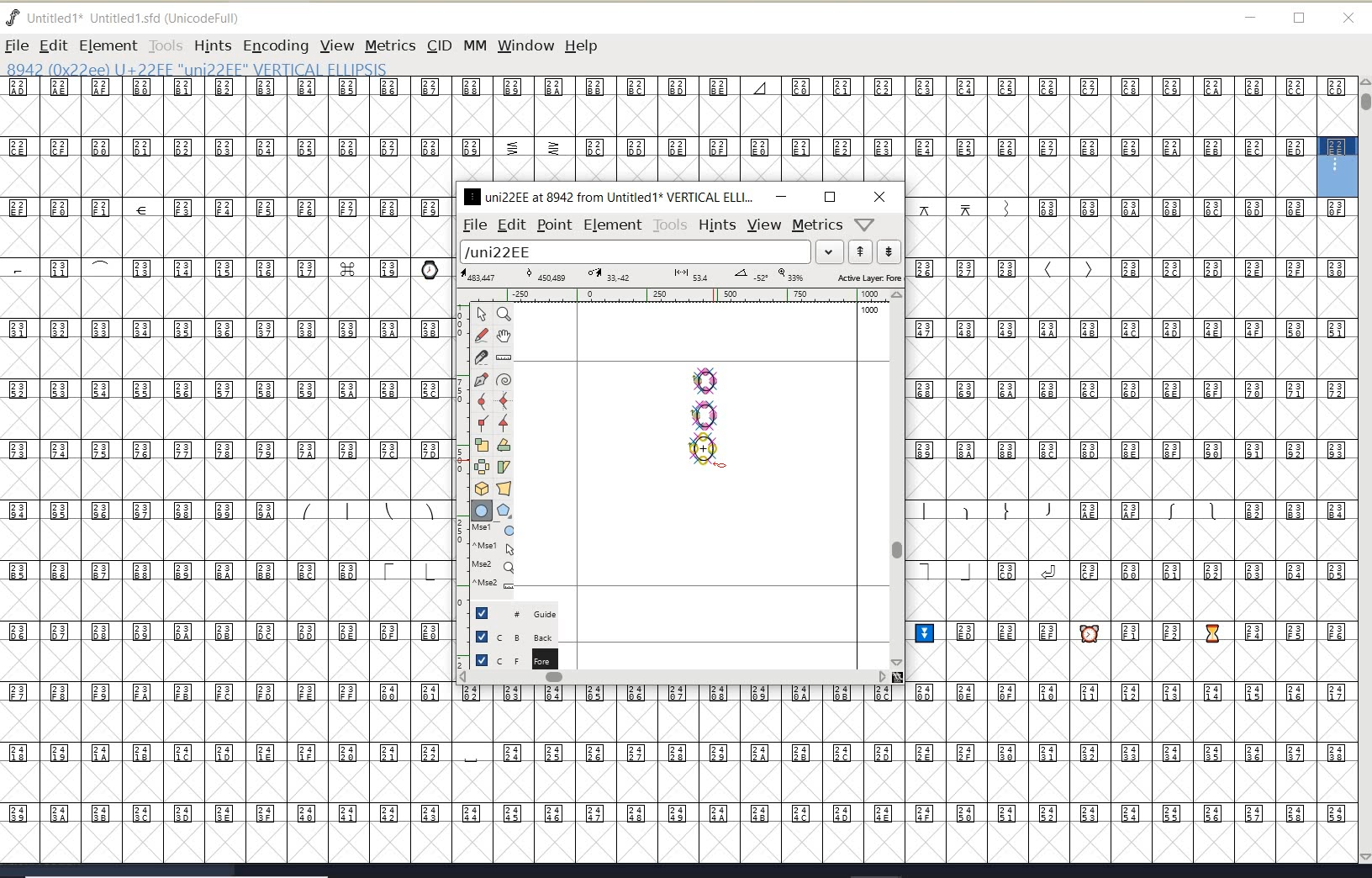 This screenshot has width=1372, height=878. What do you see at coordinates (460, 478) in the screenshot?
I see `SCALE` at bounding box center [460, 478].